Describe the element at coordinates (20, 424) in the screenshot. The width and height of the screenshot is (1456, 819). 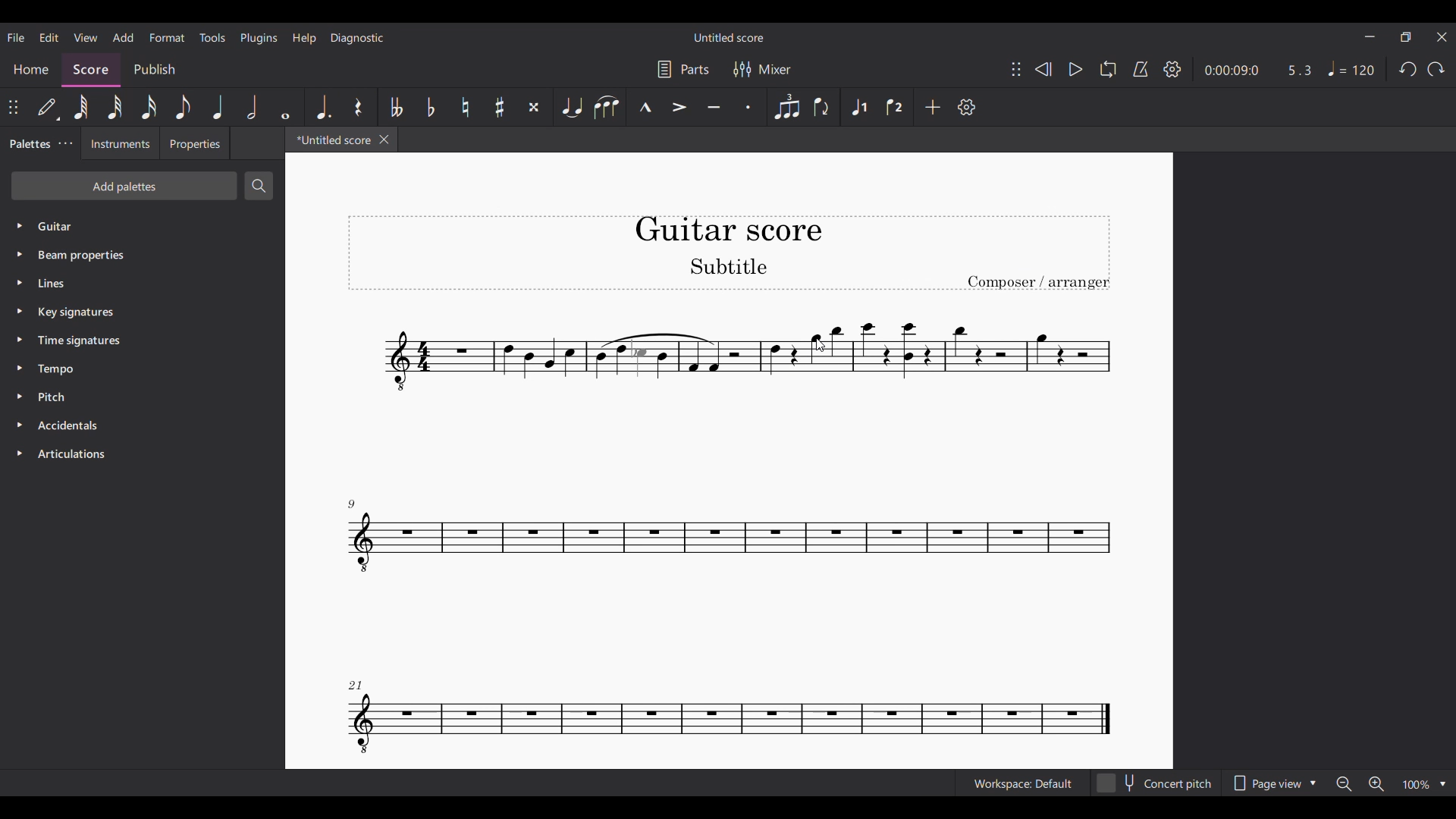
I see `Click to expand accidentals palette` at that location.